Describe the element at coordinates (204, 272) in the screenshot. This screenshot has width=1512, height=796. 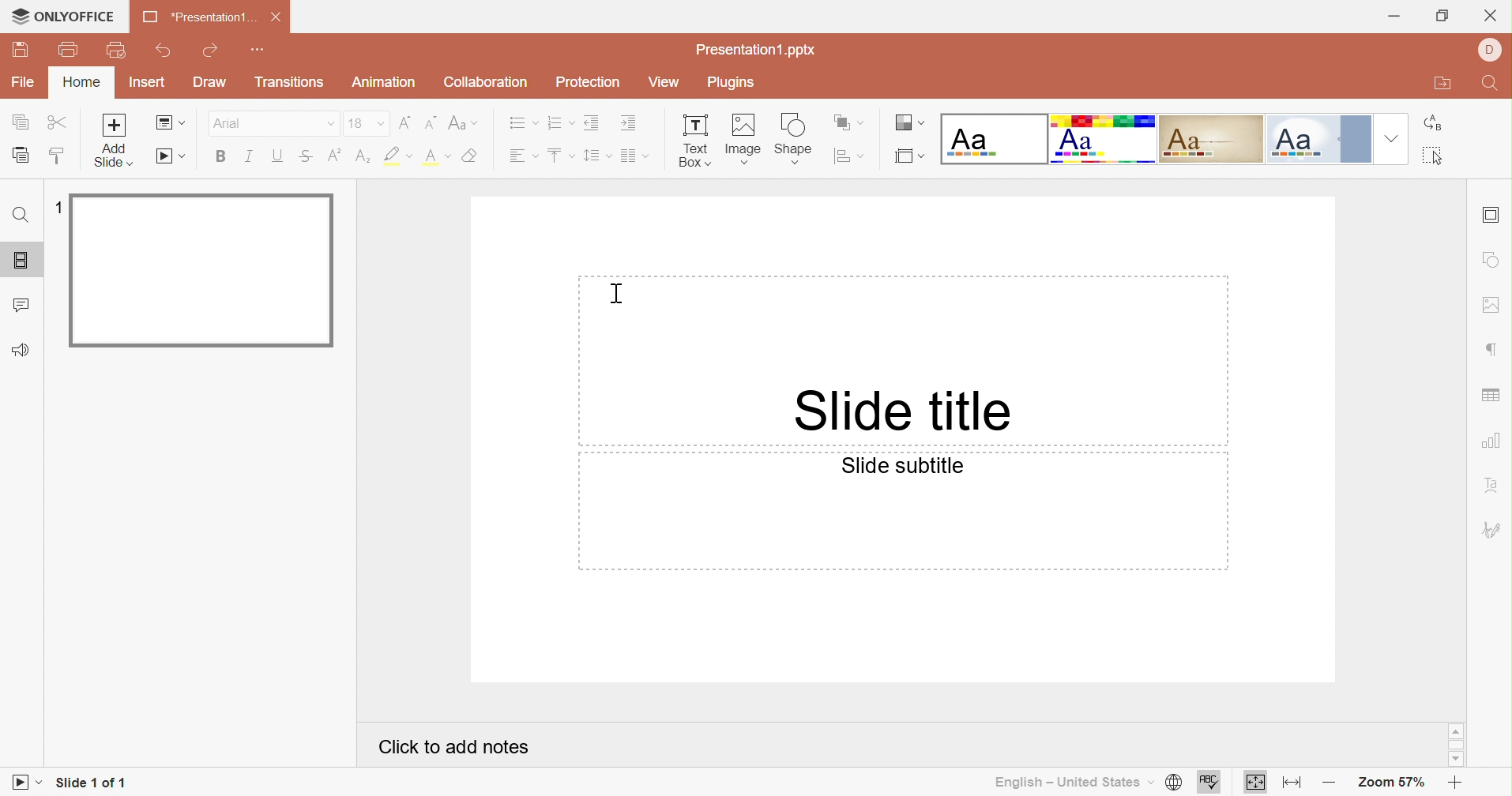
I see `Slide` at that location.